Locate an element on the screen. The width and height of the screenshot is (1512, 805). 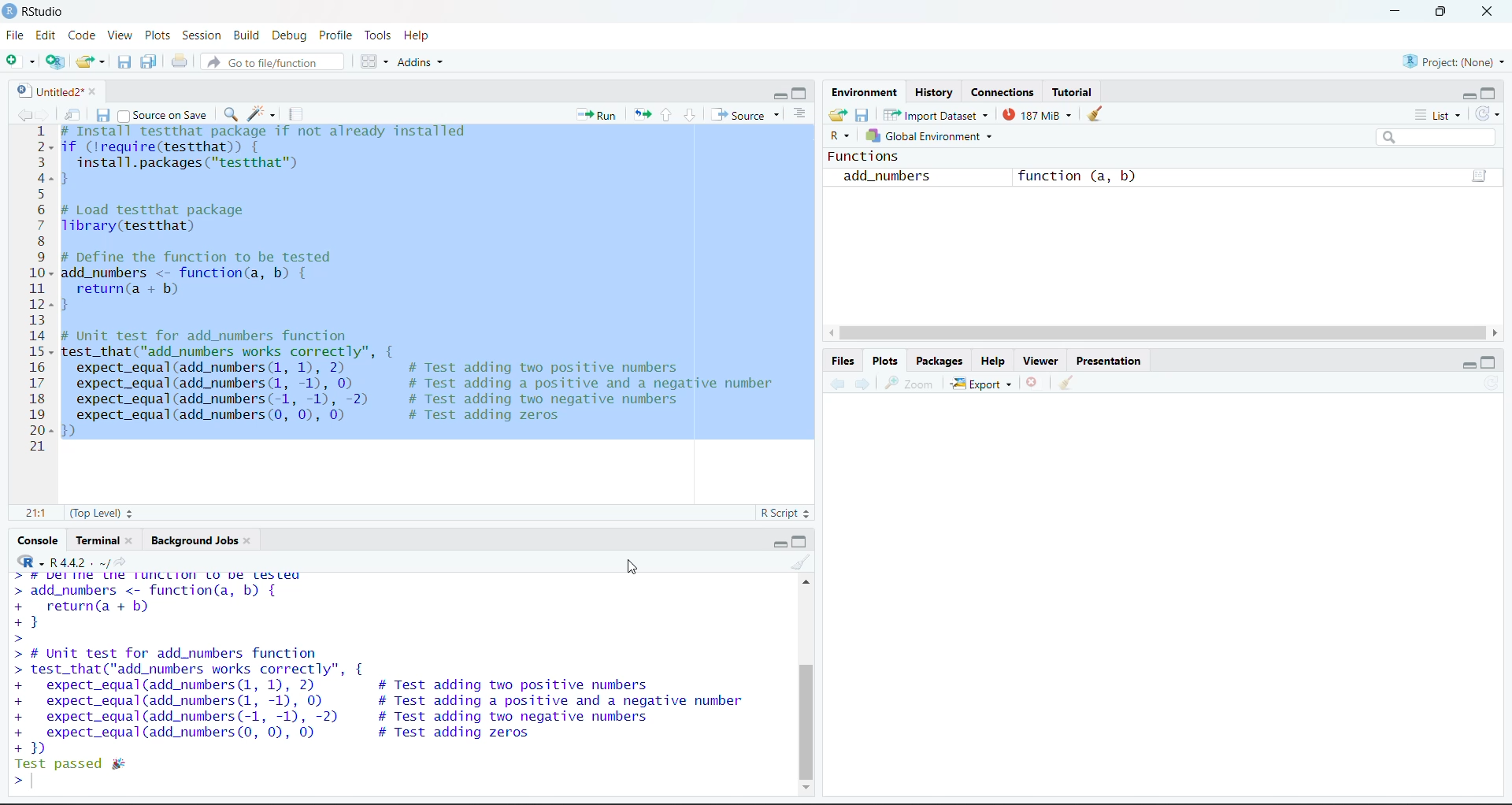
search is located at coordinates (1437, 138).